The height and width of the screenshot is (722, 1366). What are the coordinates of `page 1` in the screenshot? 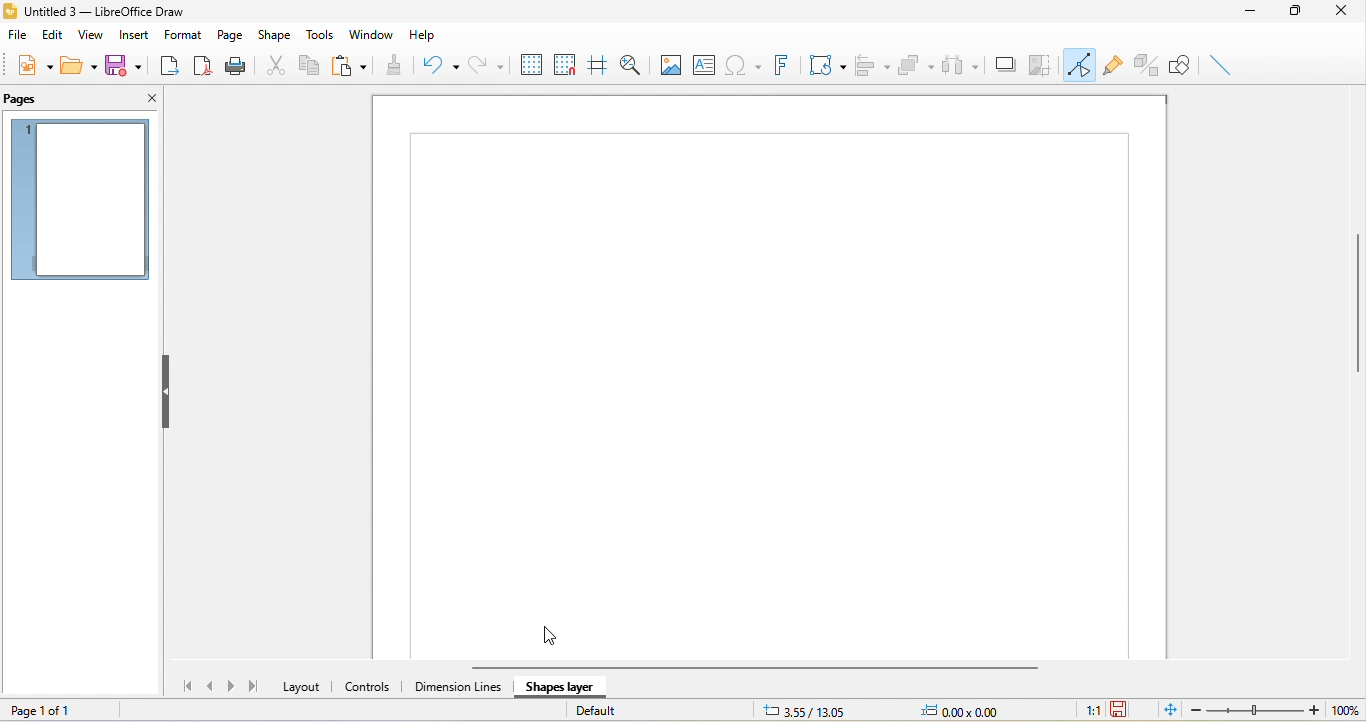 It's located at (85, 201).